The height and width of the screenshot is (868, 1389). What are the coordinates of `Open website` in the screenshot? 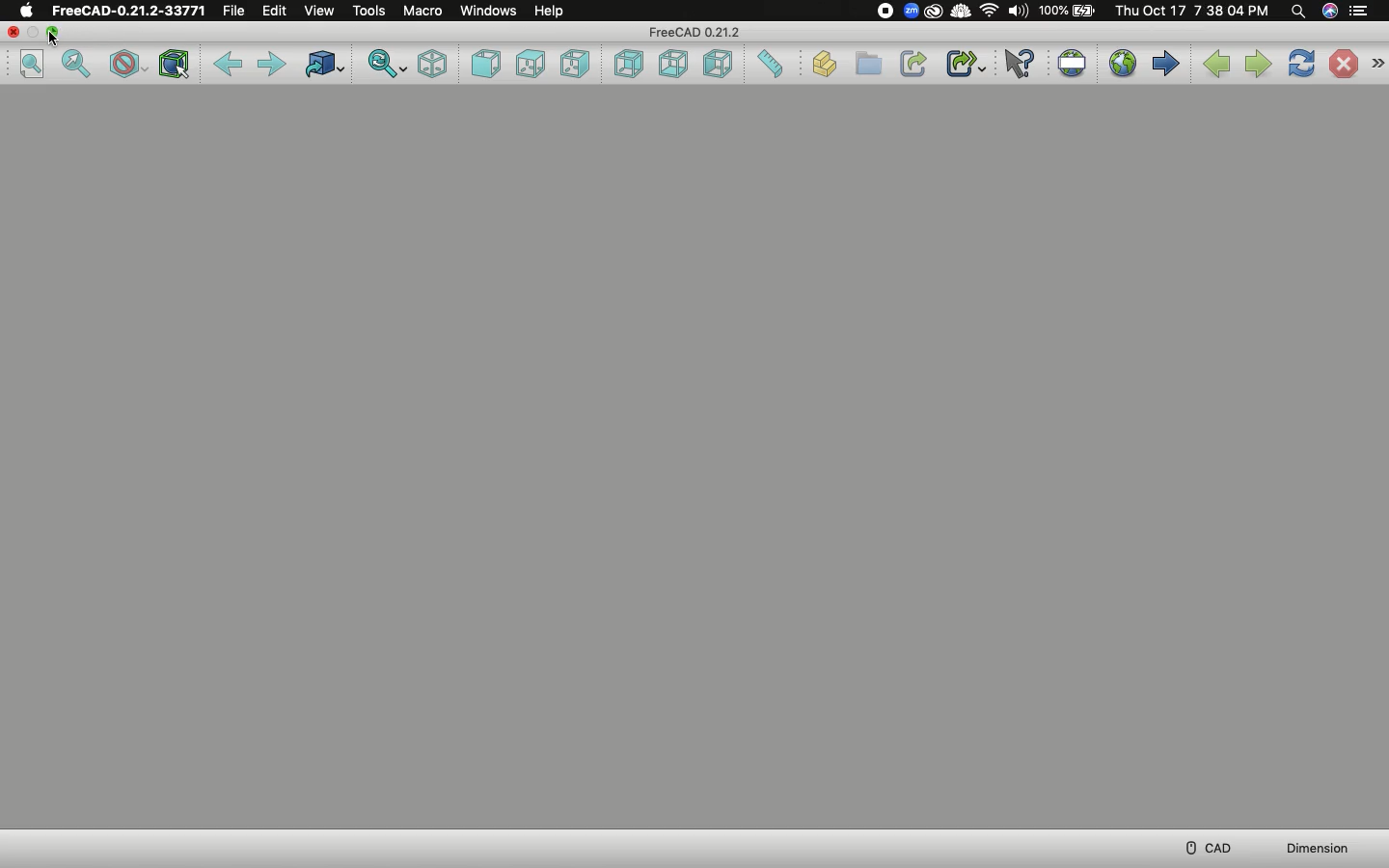 It's located at (1122, 65).